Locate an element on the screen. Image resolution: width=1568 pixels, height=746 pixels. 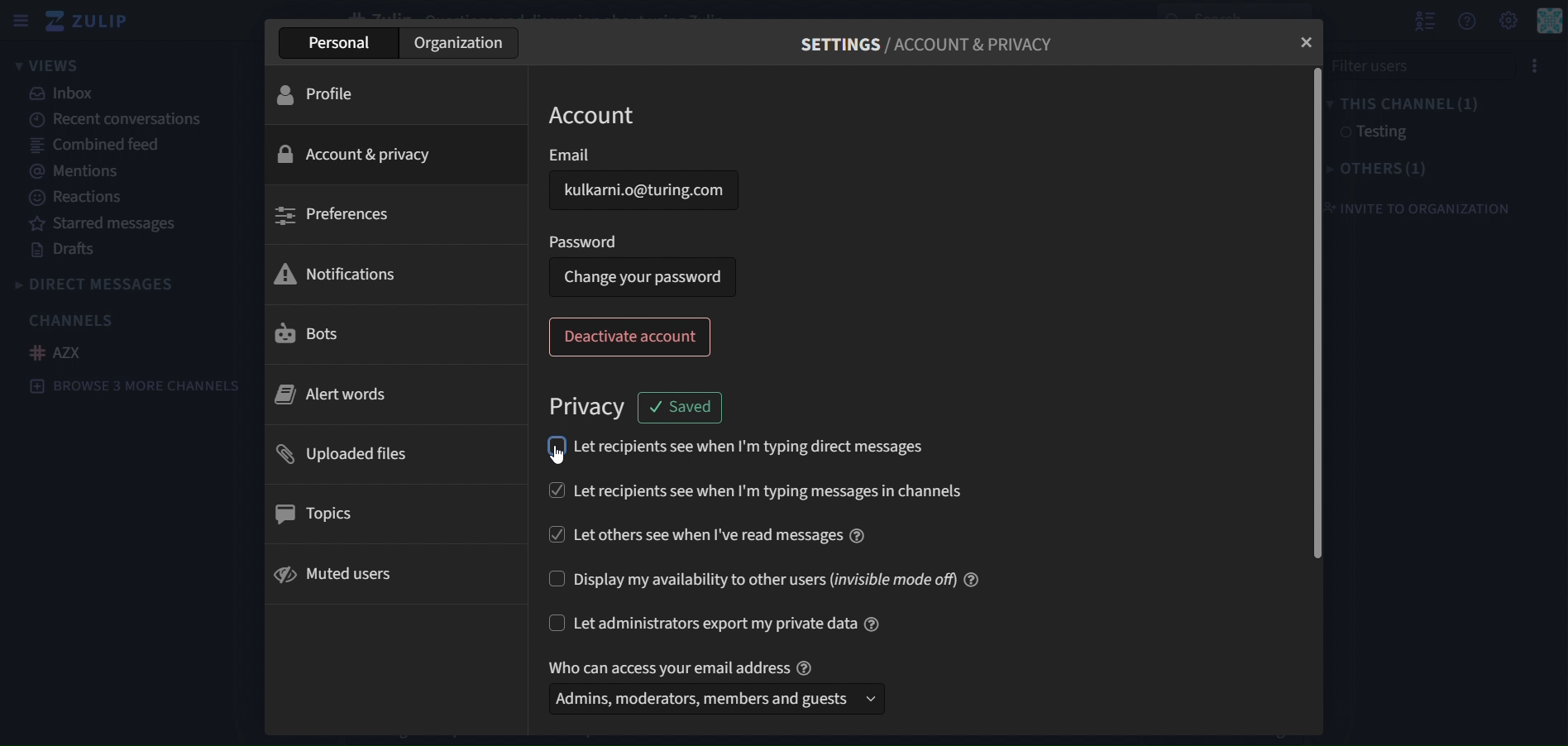
Password is located at coordinates (642, 243).